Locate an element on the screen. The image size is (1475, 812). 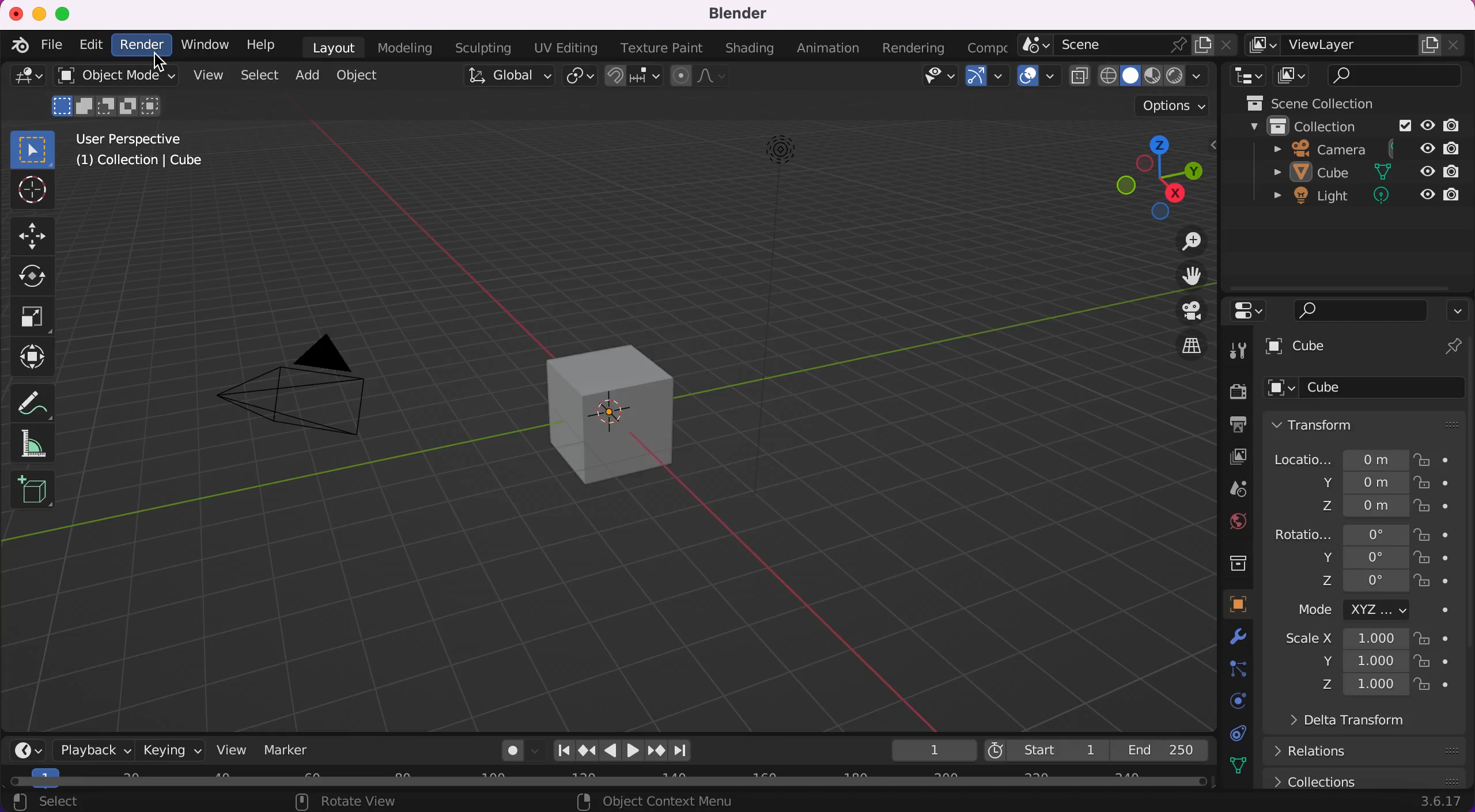
select box is located at coordinates (32, 149).